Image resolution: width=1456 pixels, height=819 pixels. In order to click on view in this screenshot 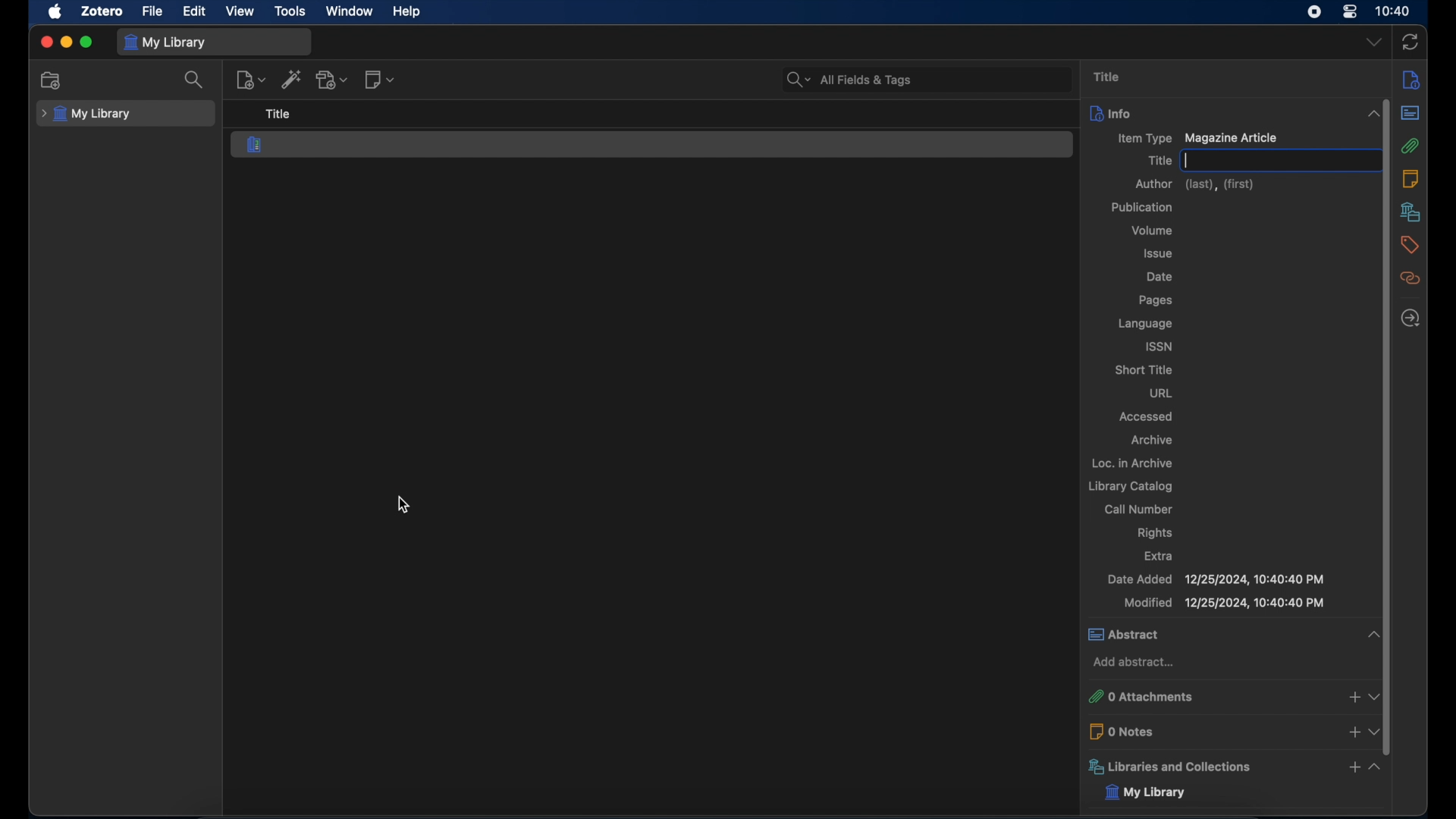, I will do `click(240, 11)`.